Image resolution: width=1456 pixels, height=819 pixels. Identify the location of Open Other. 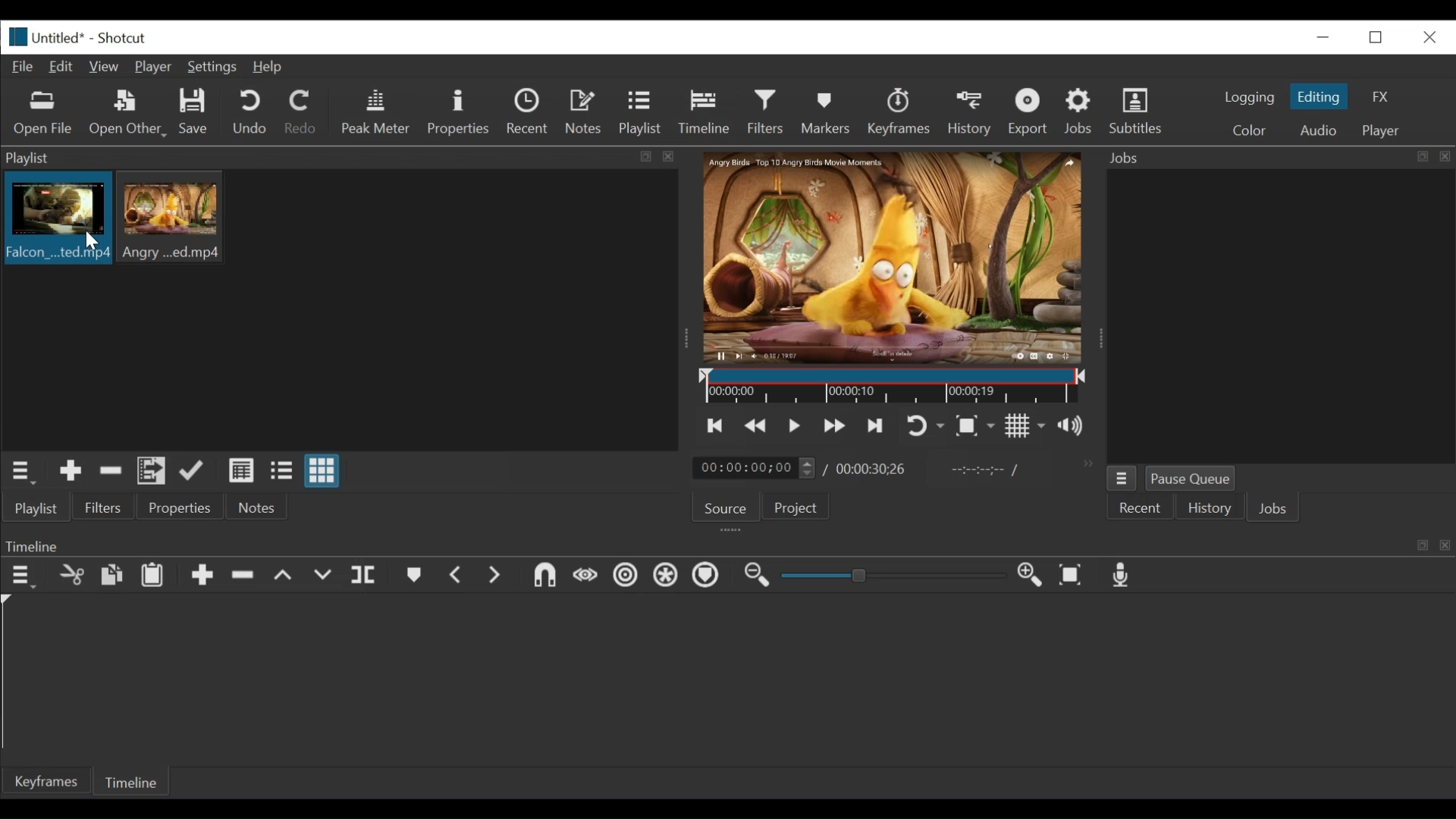
(129, 114).